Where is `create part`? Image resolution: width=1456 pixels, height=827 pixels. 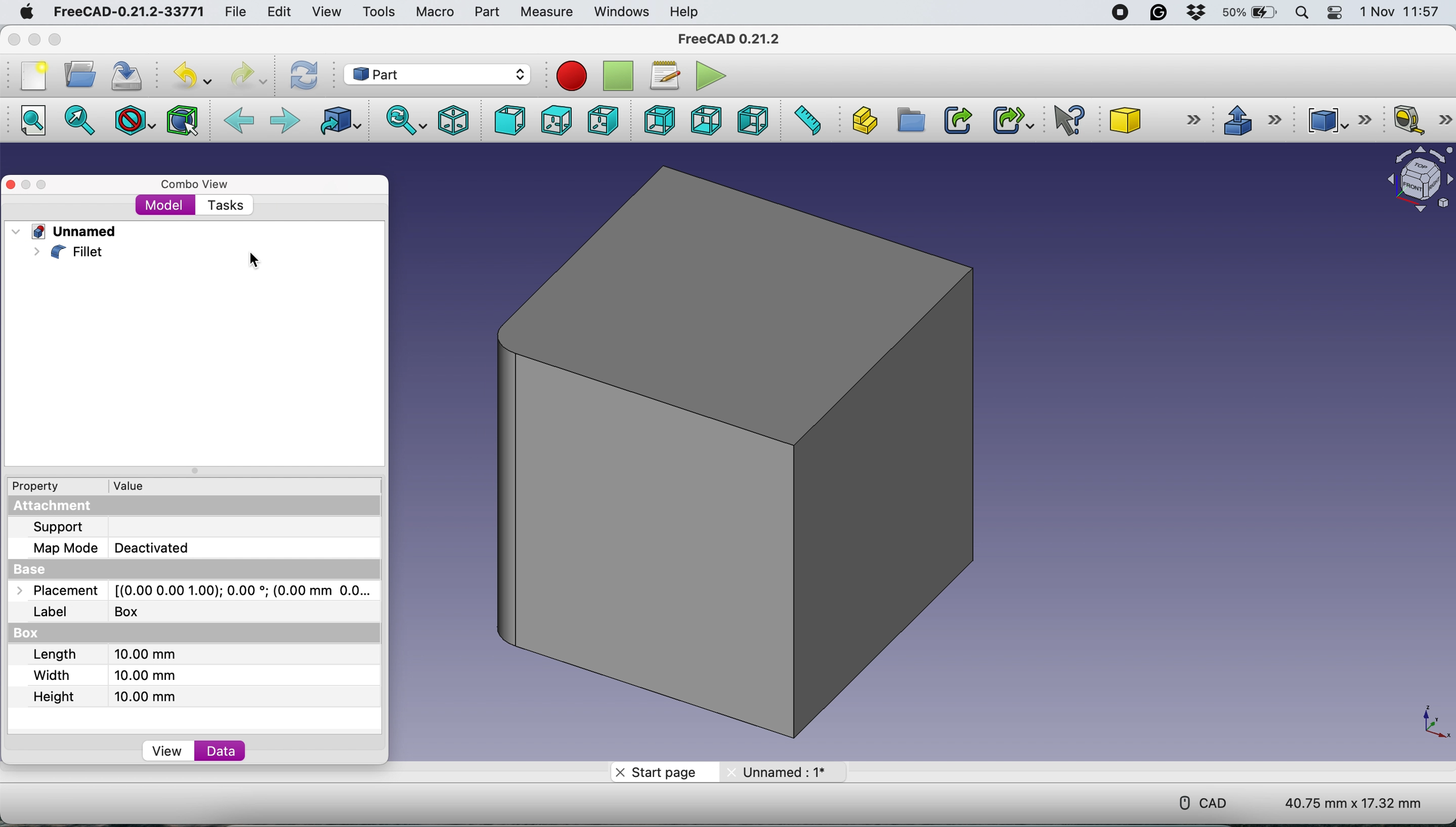 create part is located at coordinates (862, 120).